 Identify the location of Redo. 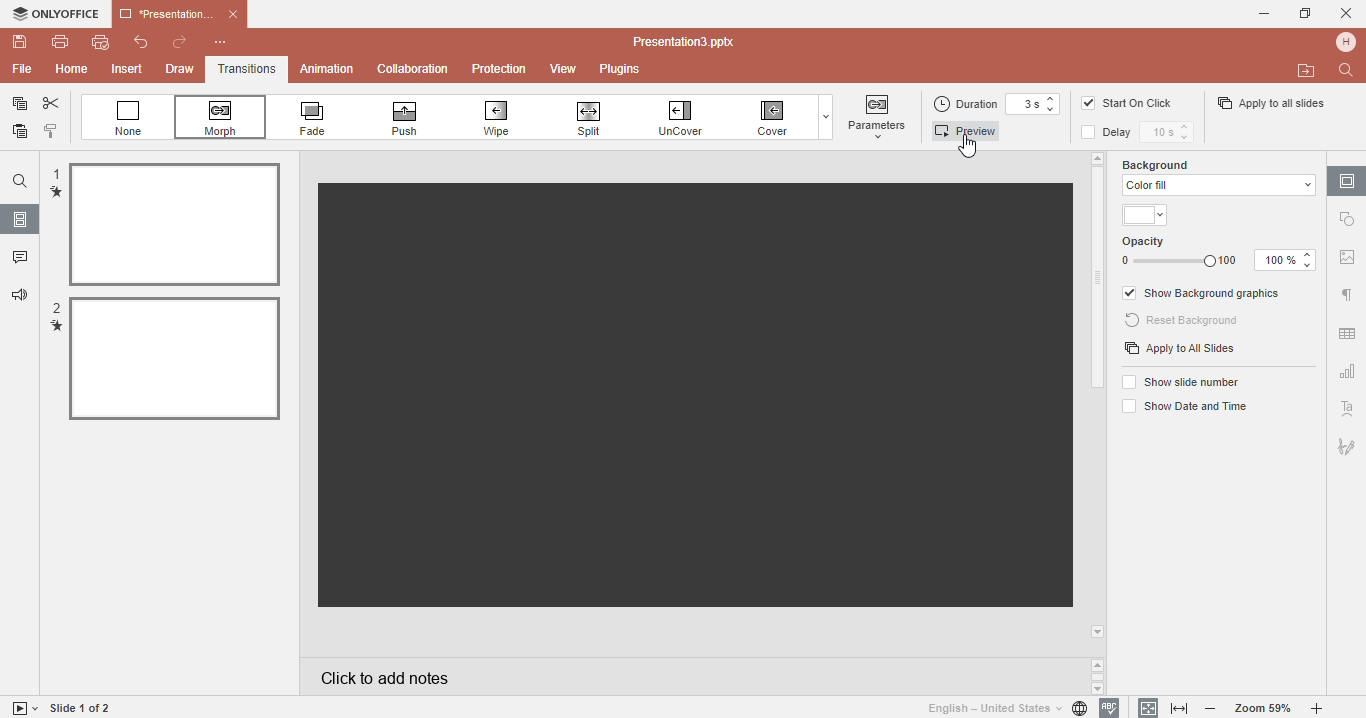
(179, 43).